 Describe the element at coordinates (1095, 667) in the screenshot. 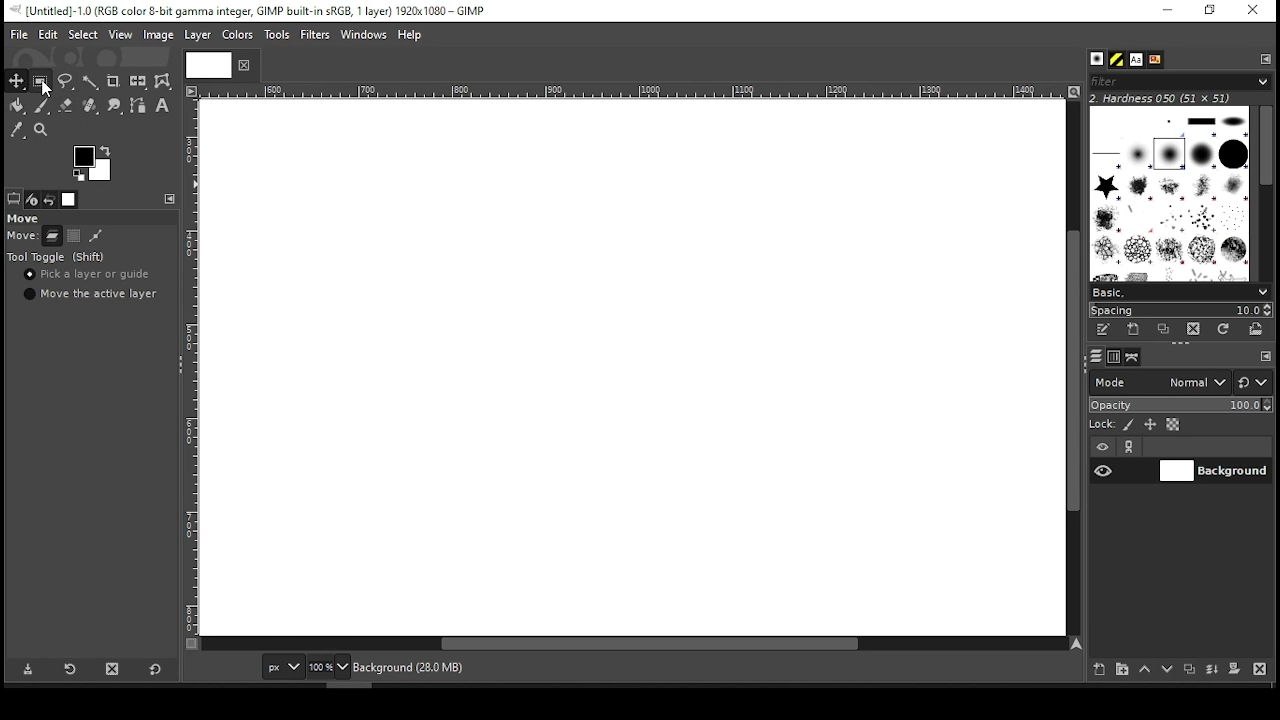

I see `new layer` at that location.